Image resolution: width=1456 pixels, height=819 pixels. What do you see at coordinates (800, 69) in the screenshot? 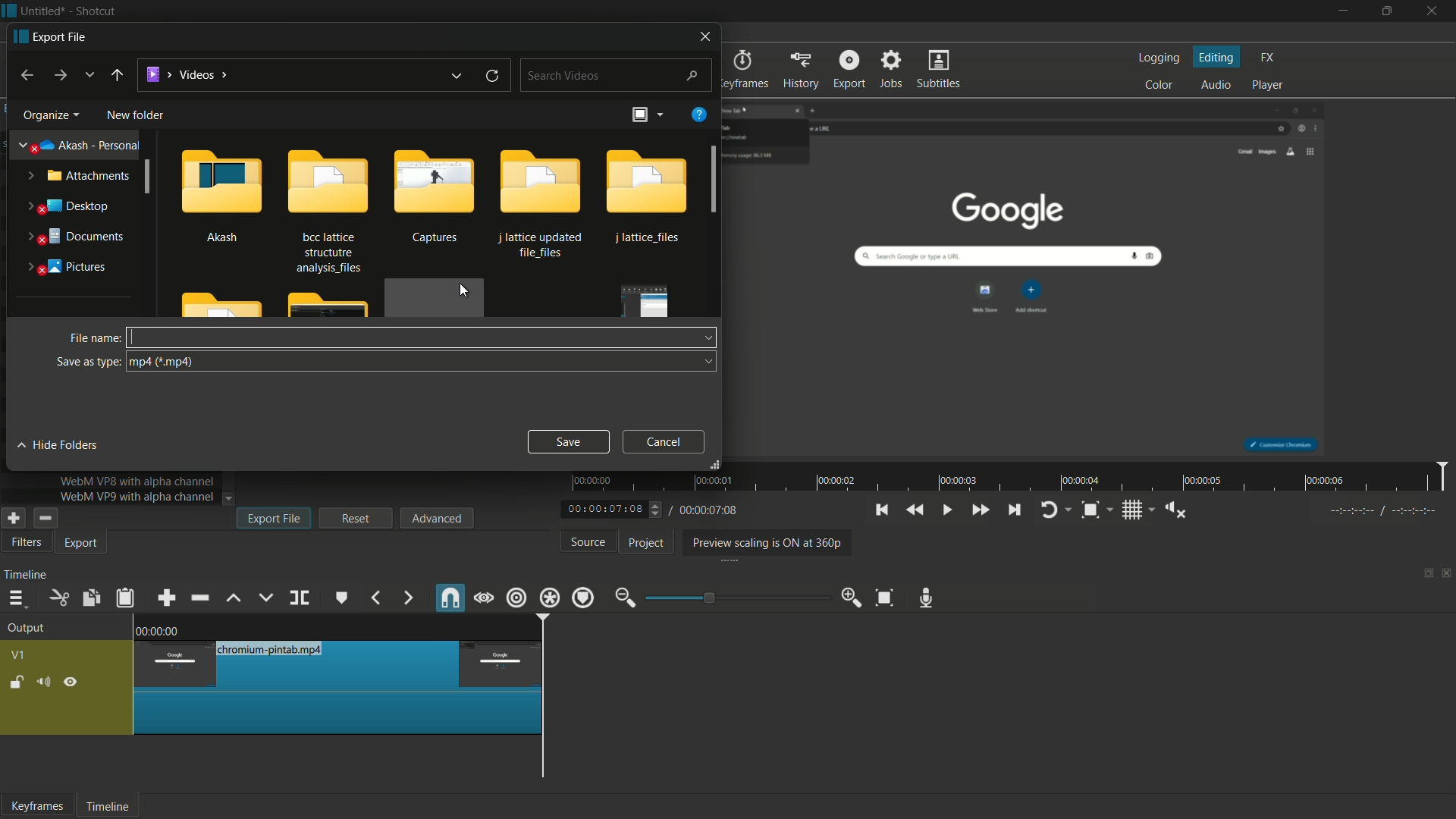
I see `history` at bounding box center [800, 69].